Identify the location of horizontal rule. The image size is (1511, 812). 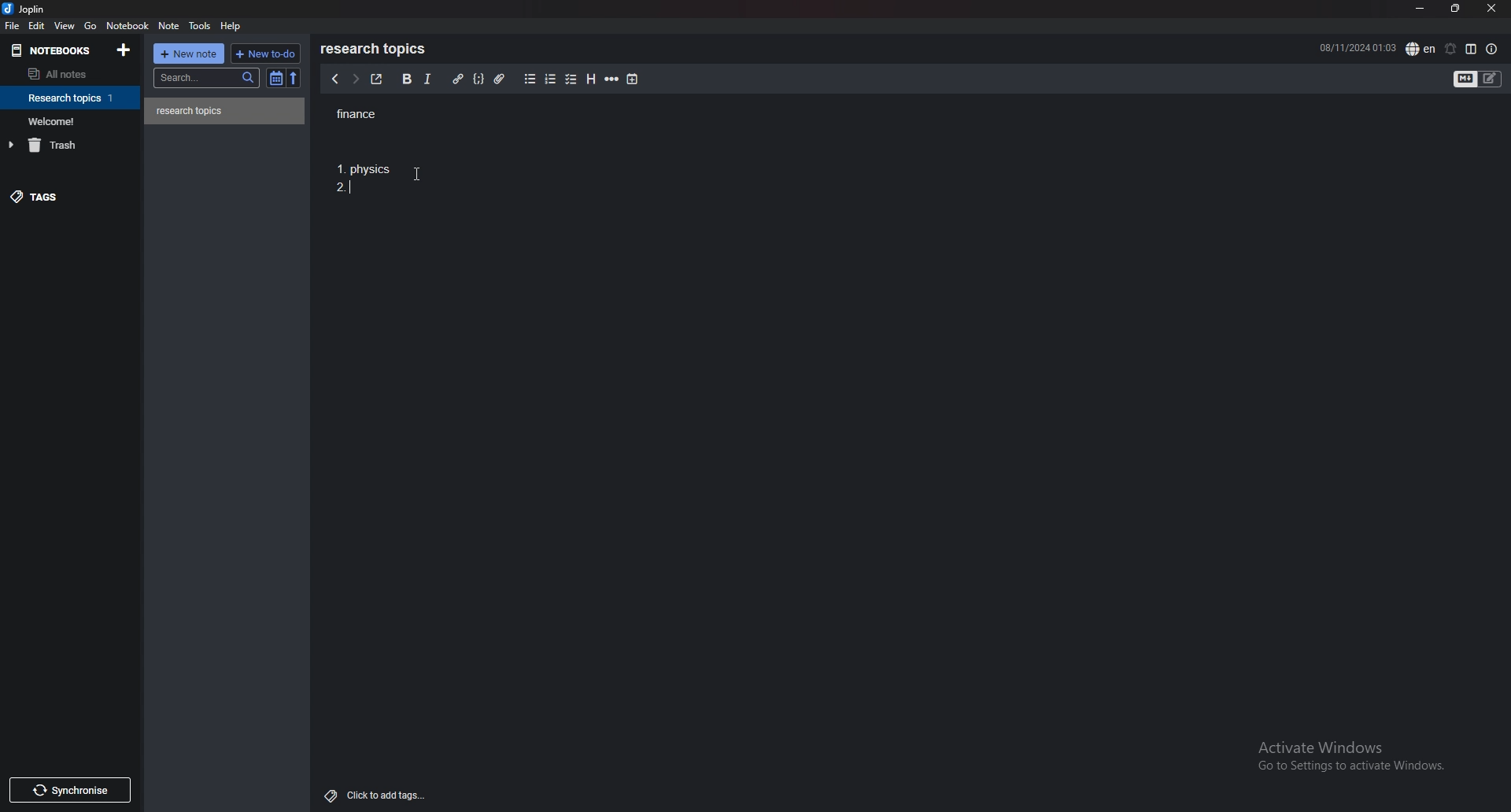
(613, 79).